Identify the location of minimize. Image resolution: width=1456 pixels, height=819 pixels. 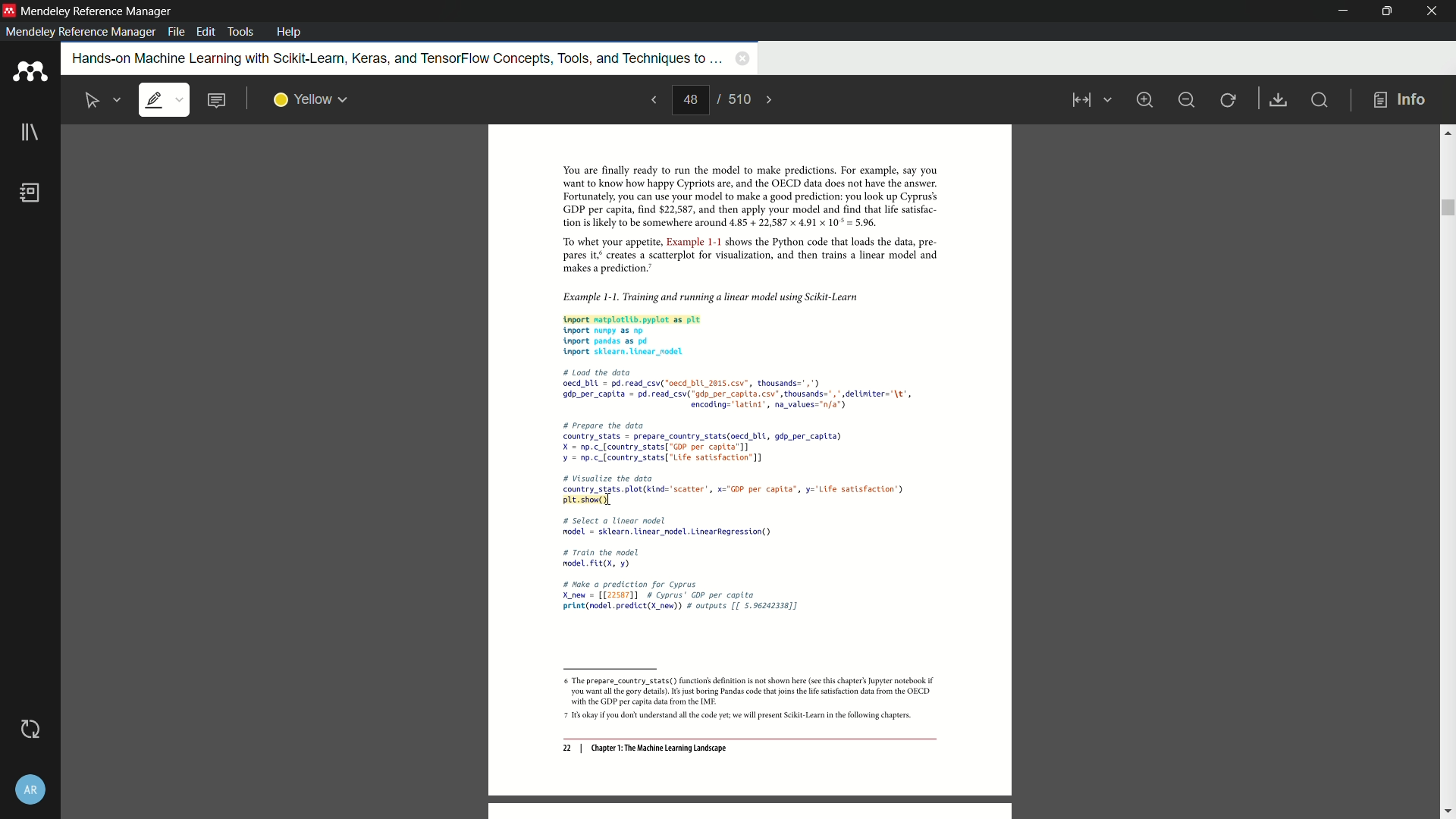
(1345, 11).